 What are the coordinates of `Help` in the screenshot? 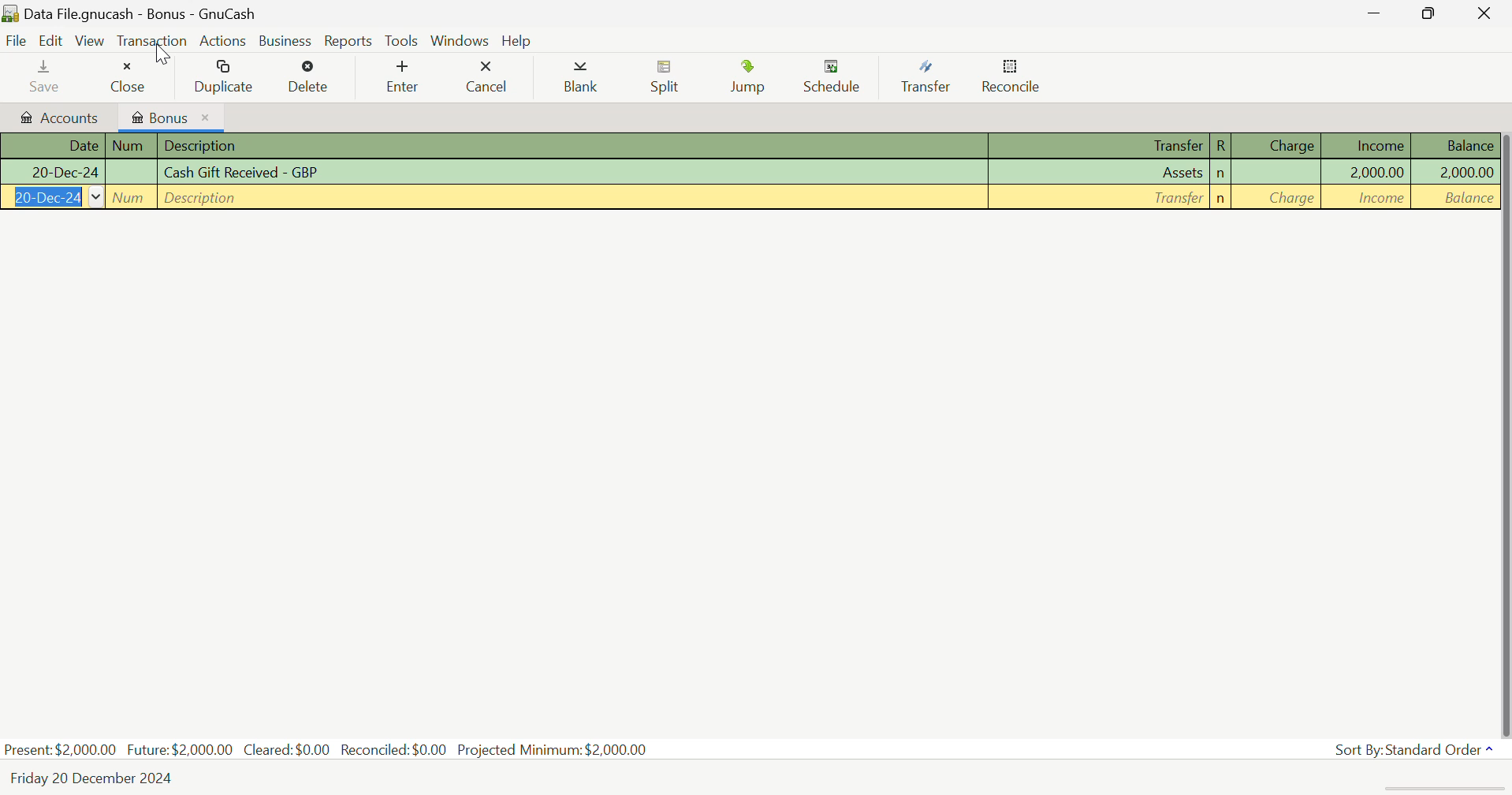 It's located at (516, 39).